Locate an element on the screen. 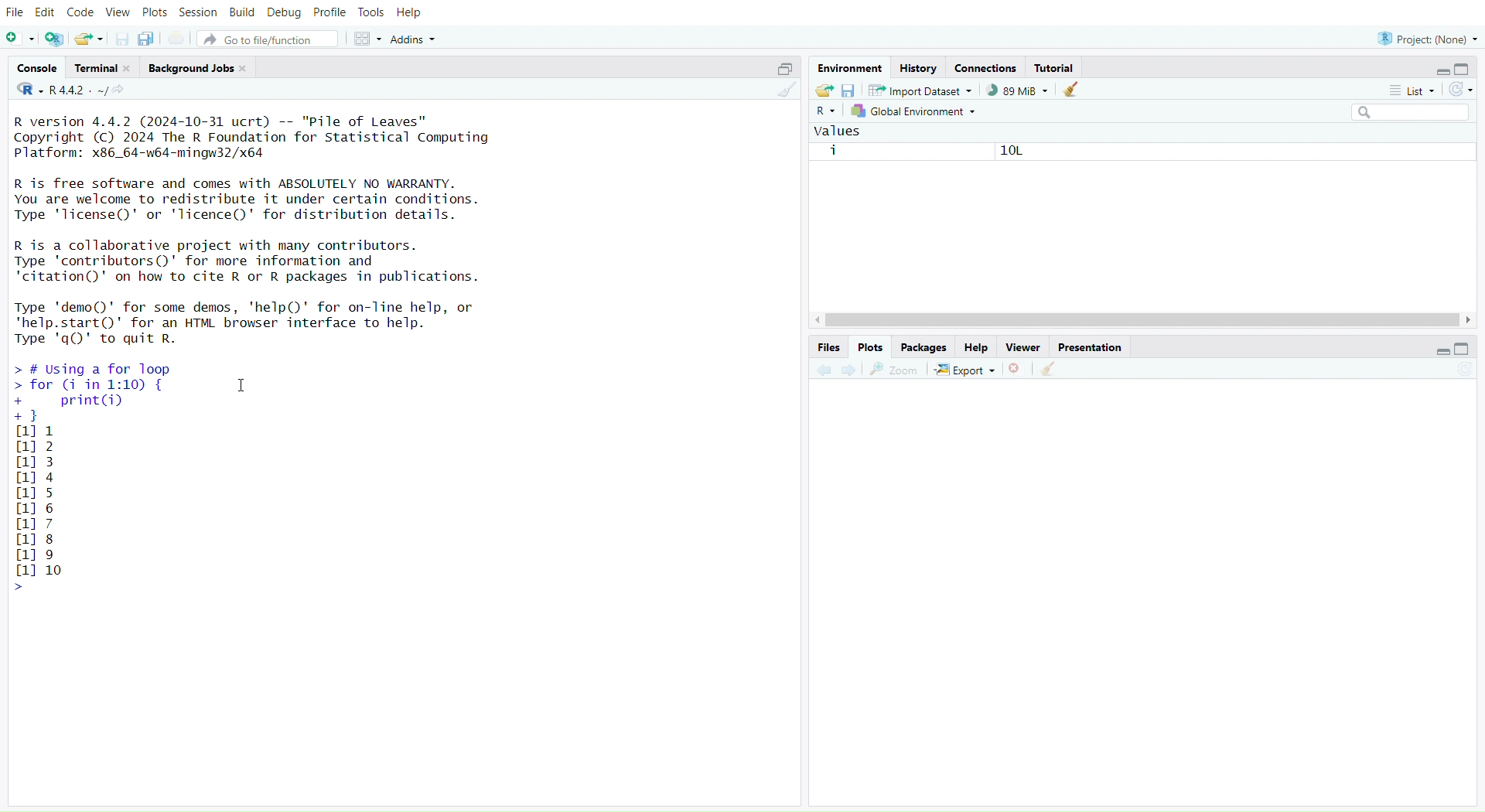  terminal is located at coordinates (103, 68).